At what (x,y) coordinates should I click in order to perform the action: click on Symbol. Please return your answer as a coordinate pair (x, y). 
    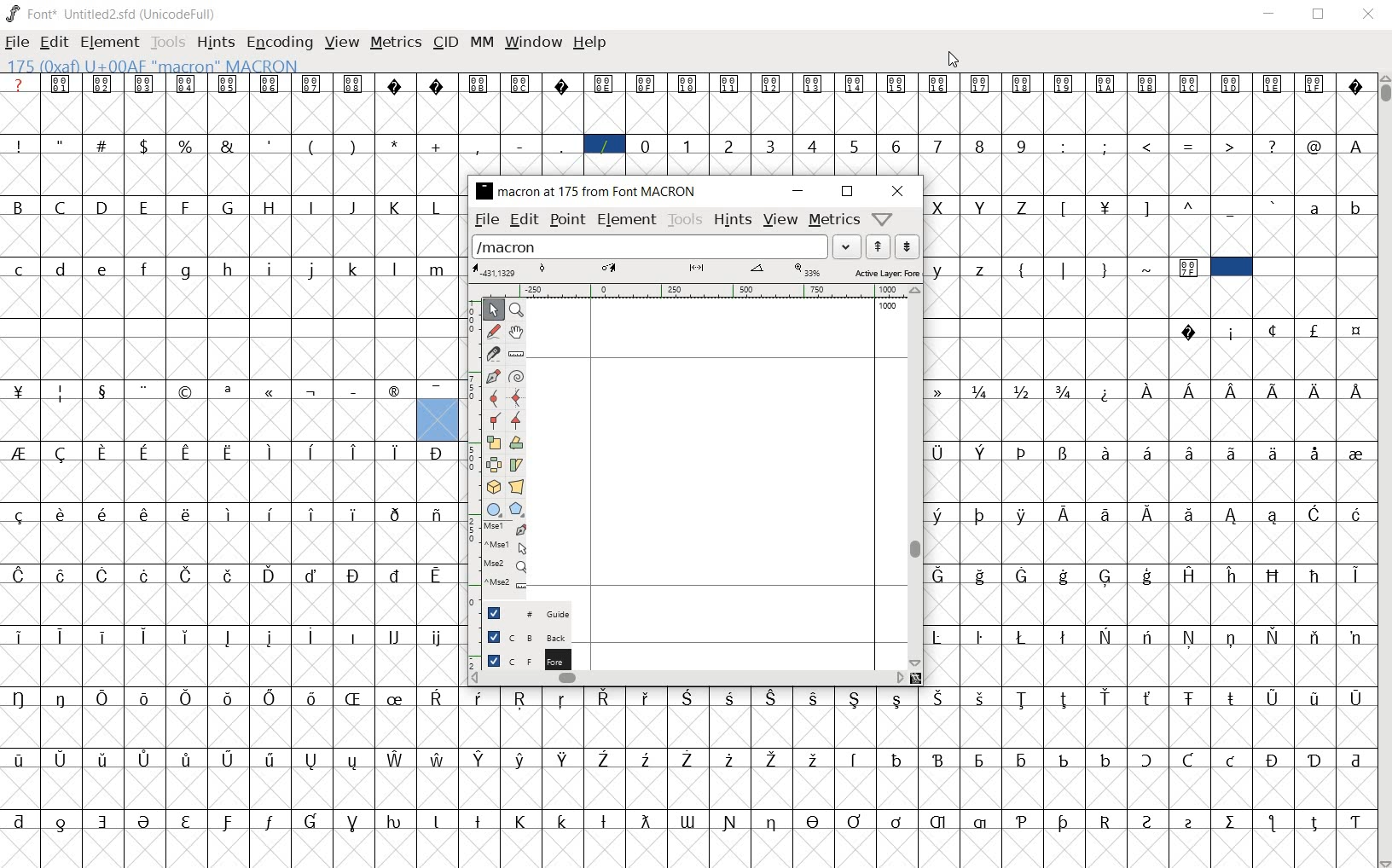
    Looking at the image, I should click on (146, 451).